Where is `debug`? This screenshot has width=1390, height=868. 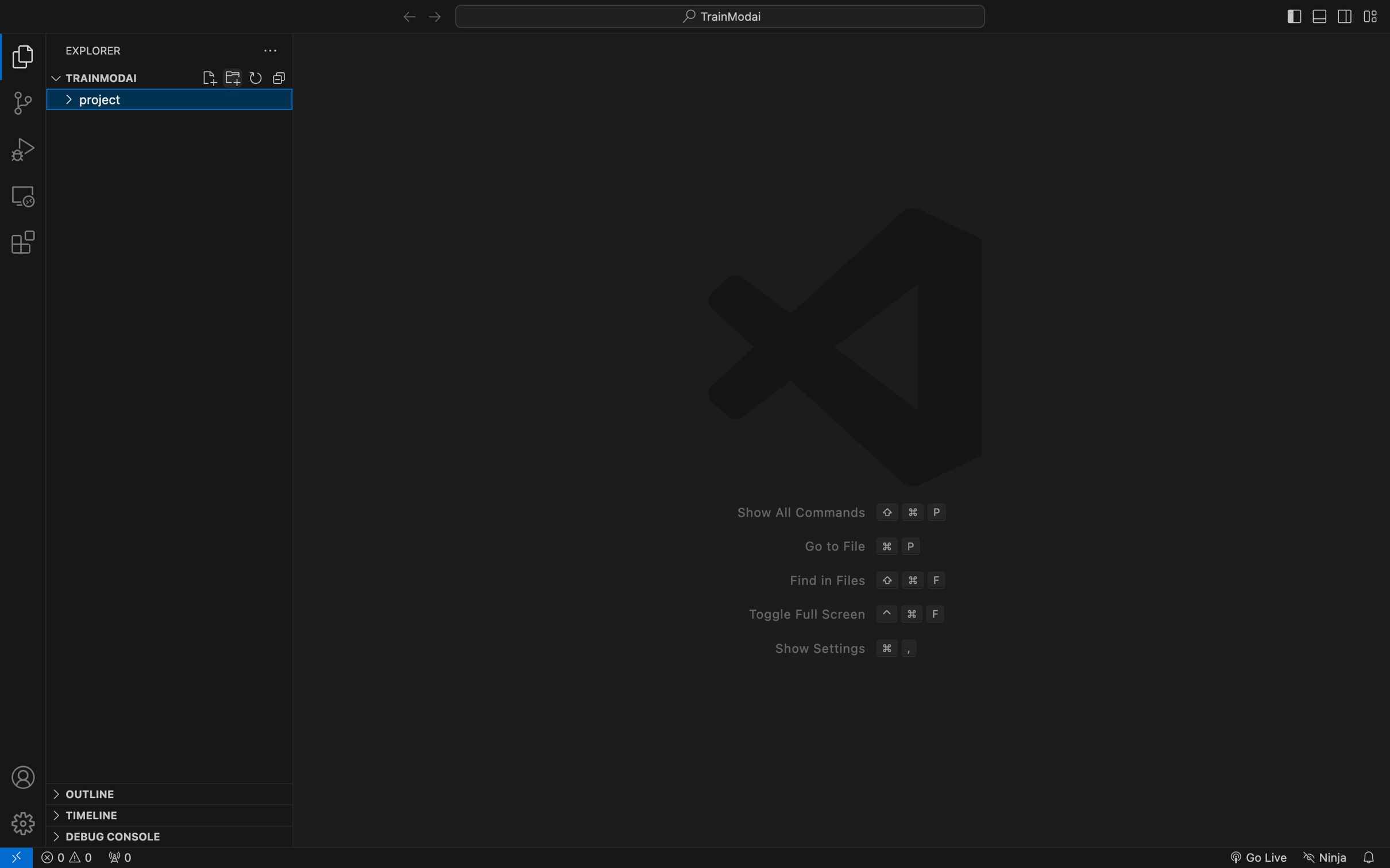
debug is located at coordinates (22, 149).